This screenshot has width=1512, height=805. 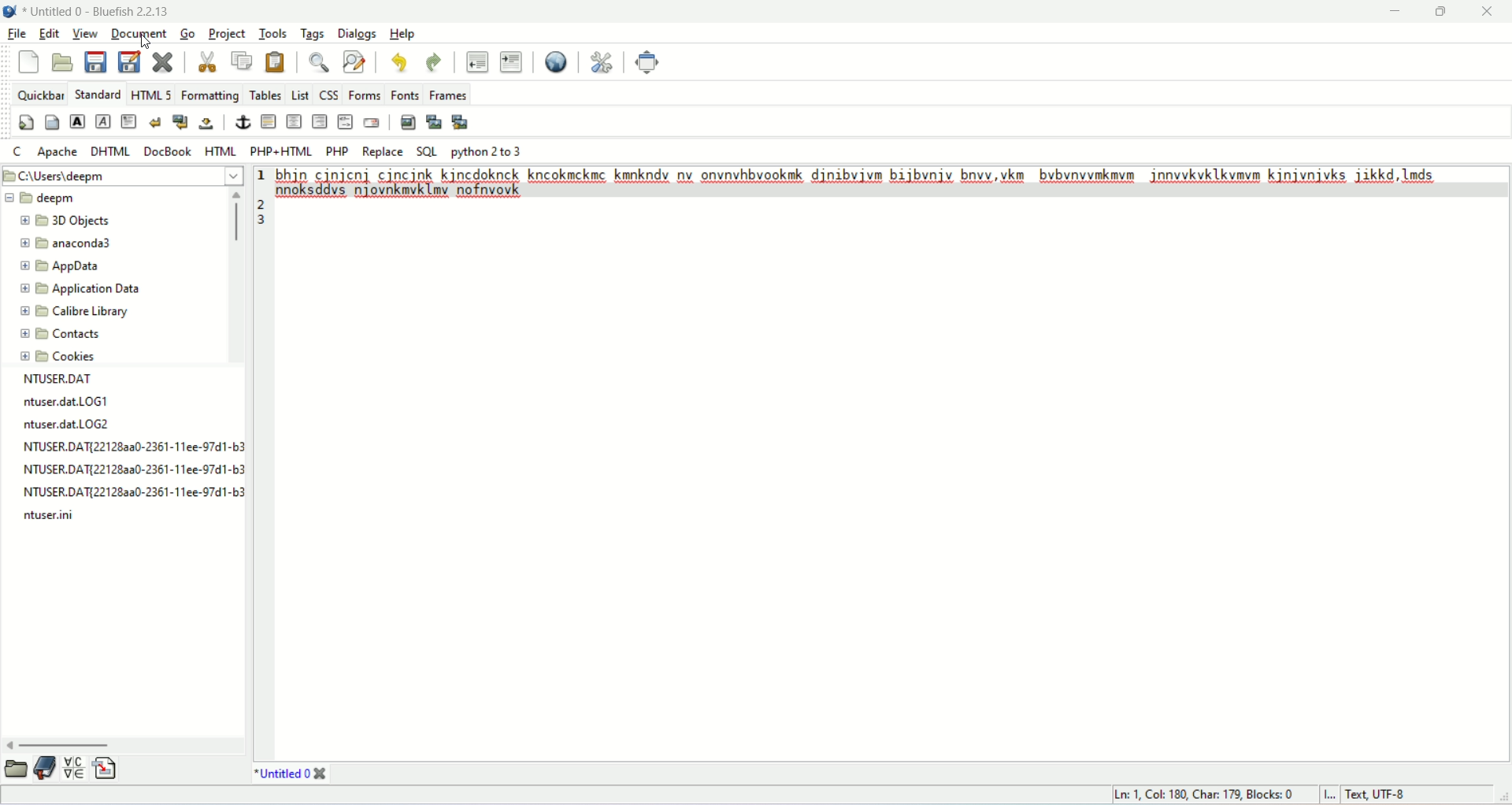 I want to click on CSS, so click(x=331, y=95).